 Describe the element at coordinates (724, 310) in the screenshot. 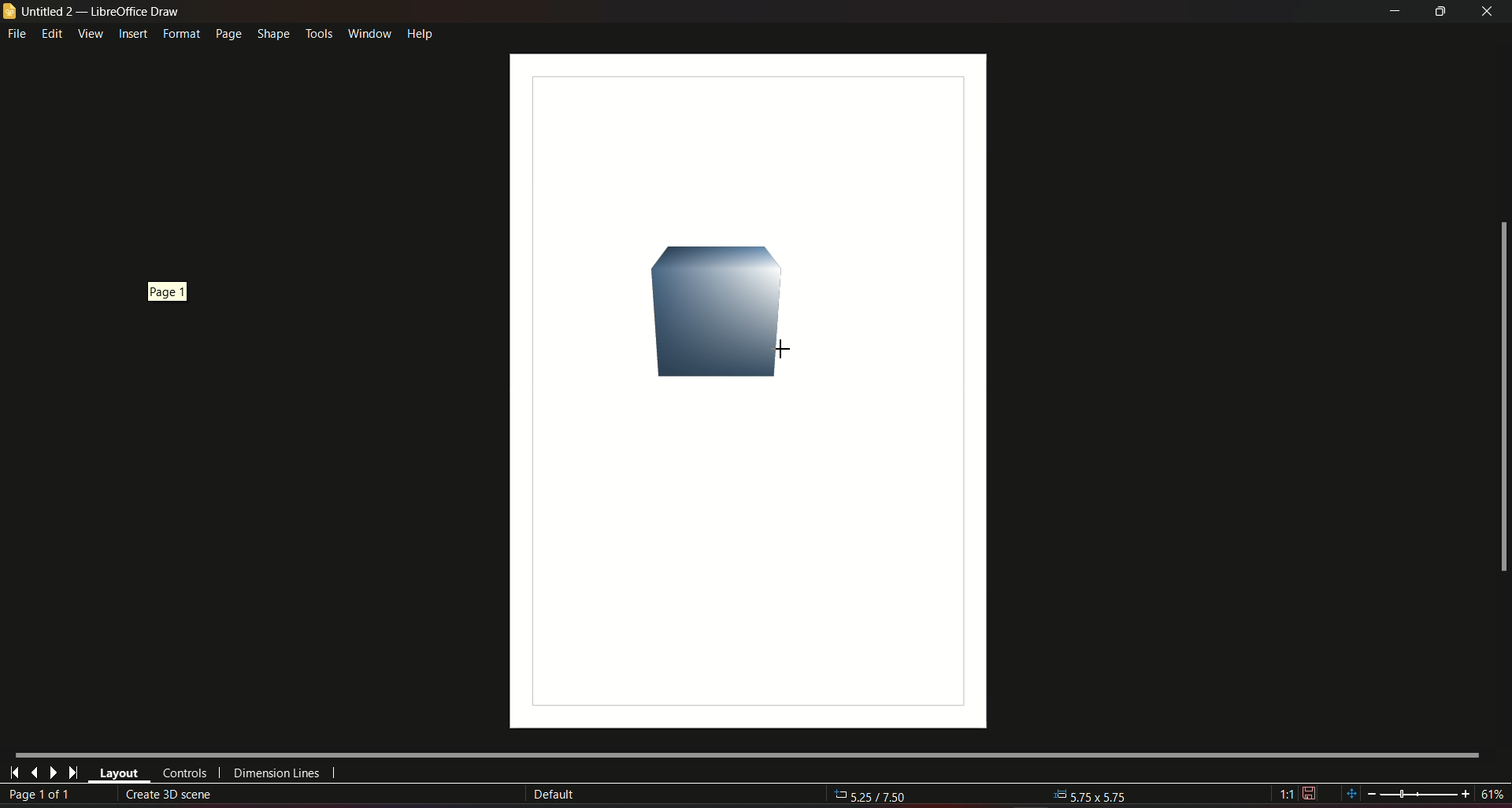

I see `Cube` at that location.